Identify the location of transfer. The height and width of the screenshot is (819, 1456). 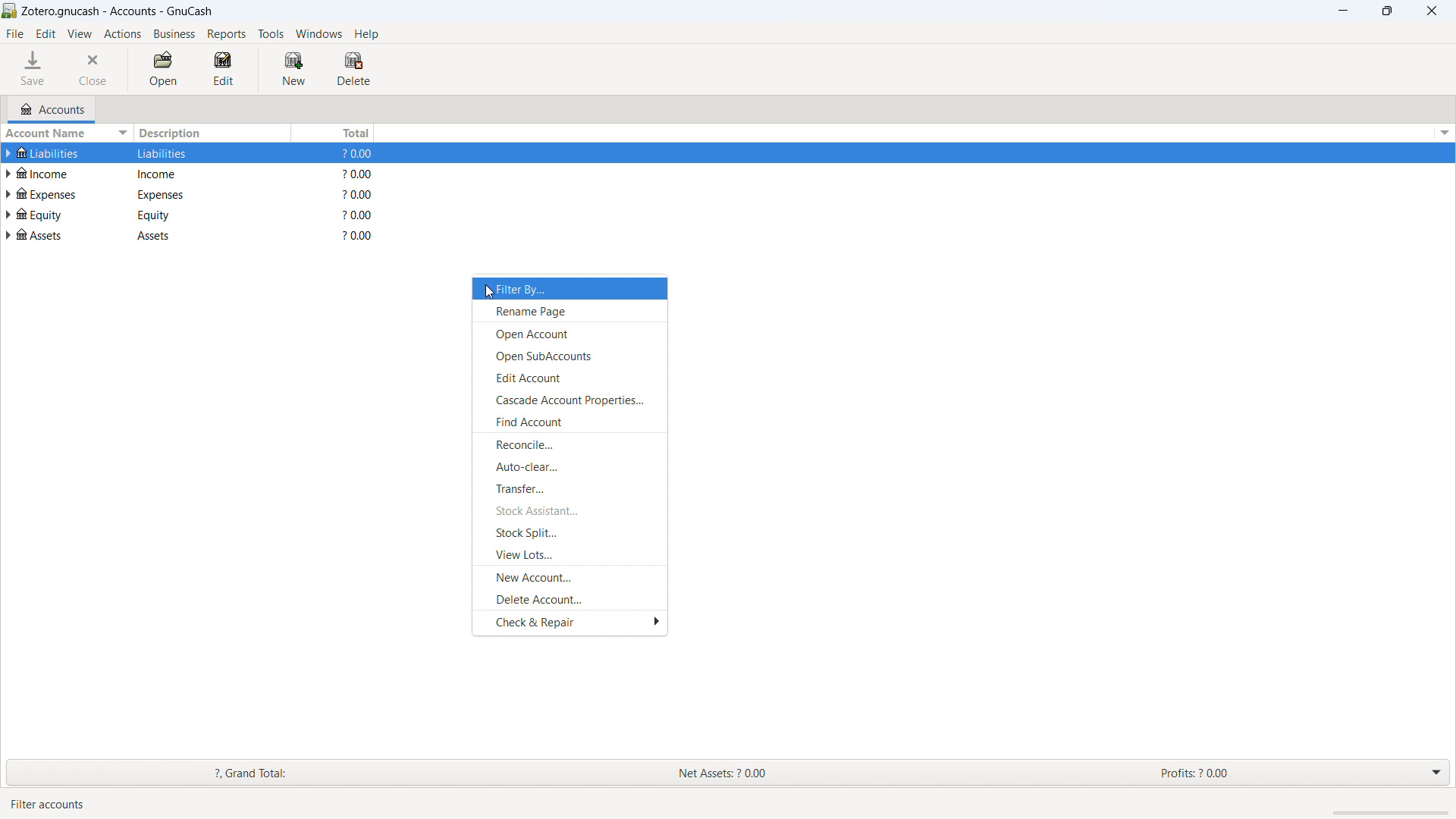
(570, 487).